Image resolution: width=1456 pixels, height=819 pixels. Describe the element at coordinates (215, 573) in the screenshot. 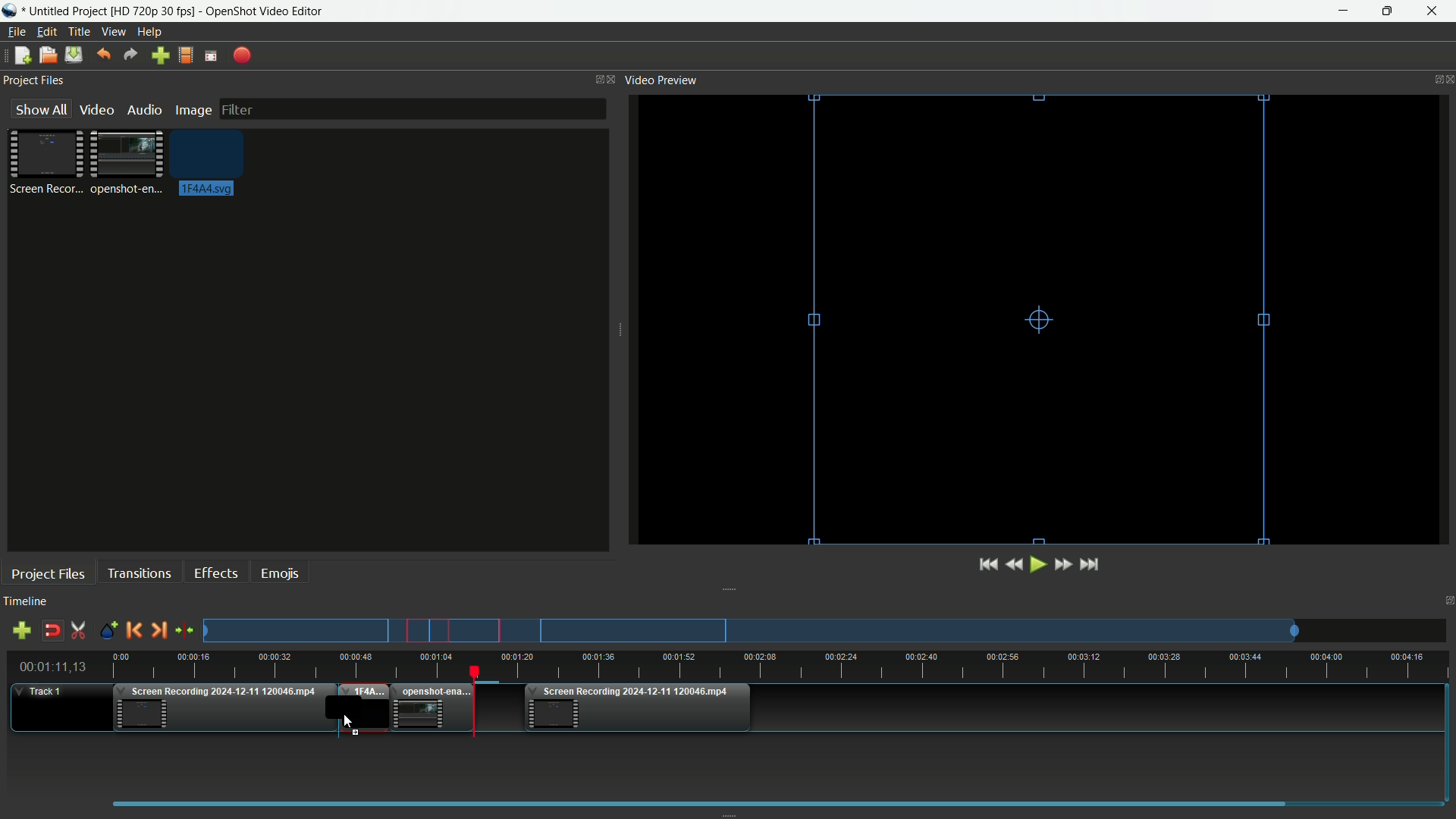

I see `Effects` at that location.